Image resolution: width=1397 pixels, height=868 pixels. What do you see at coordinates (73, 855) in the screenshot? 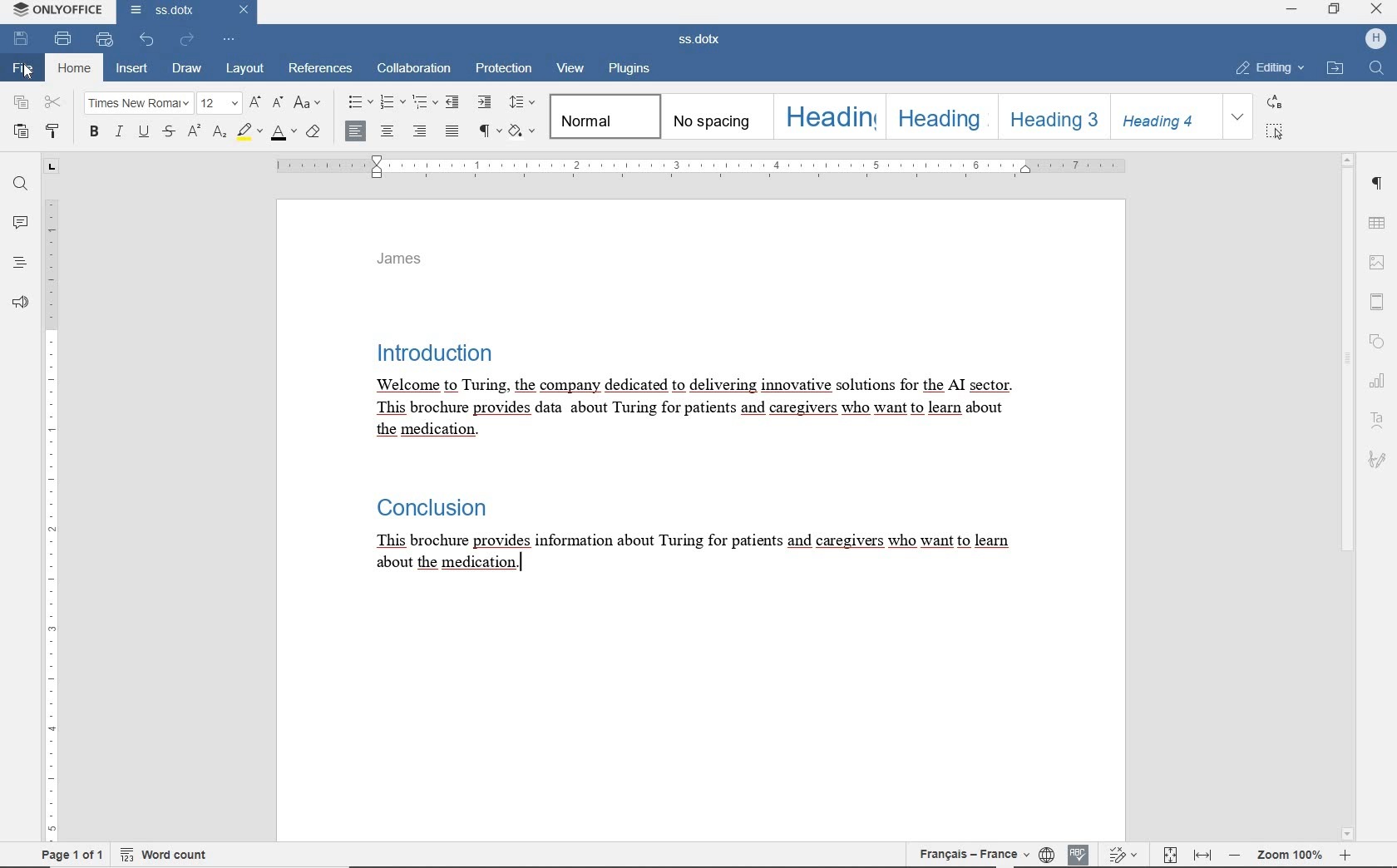
I see `PAGE 1 OF 1` at bounding box center [73, 855].